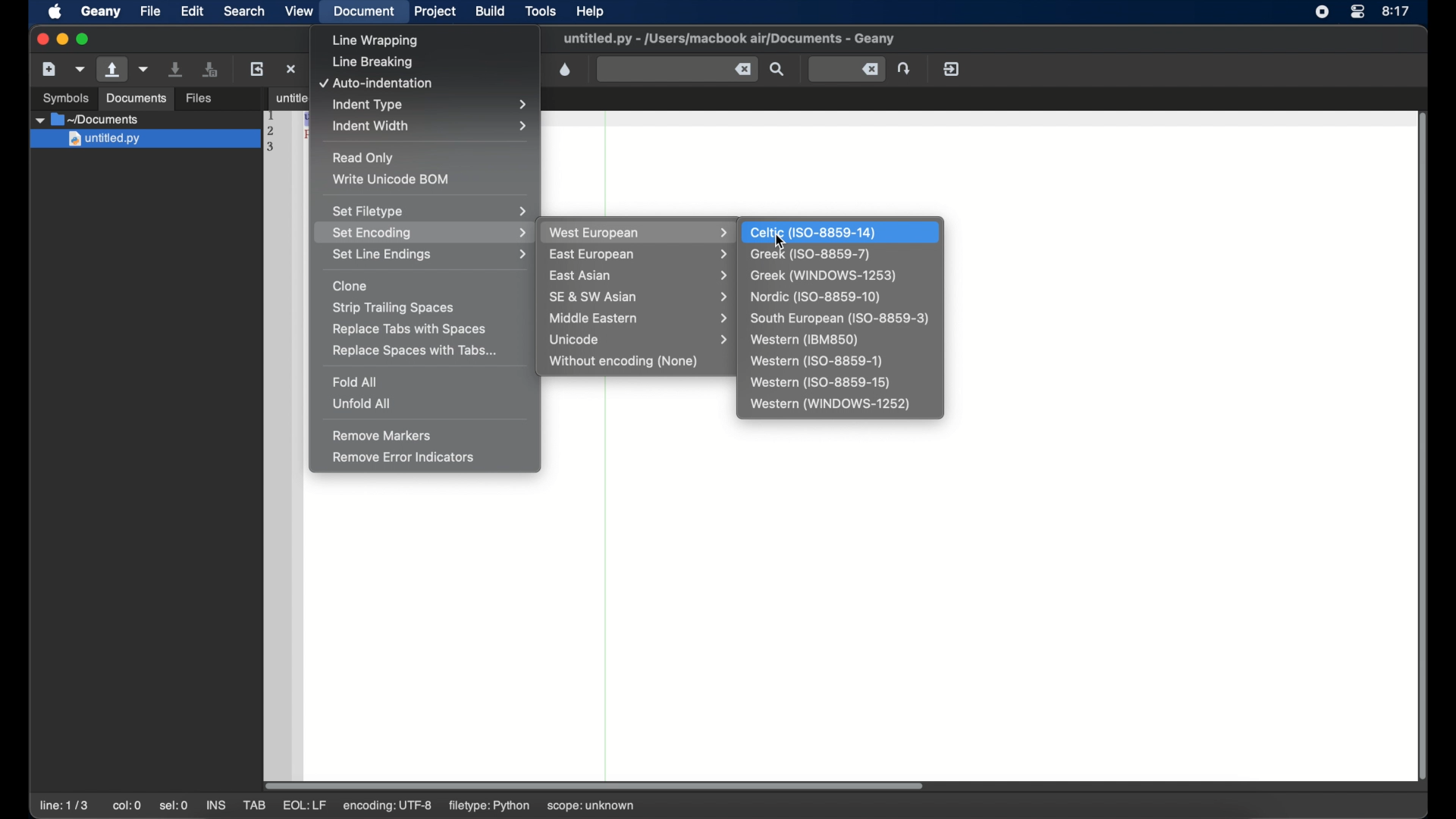 This screenshot has width=1456, height=819. What do you see at coordinates (625, 362) in the screenshot?
I see `without encoding` at bounding box center [625, 362].